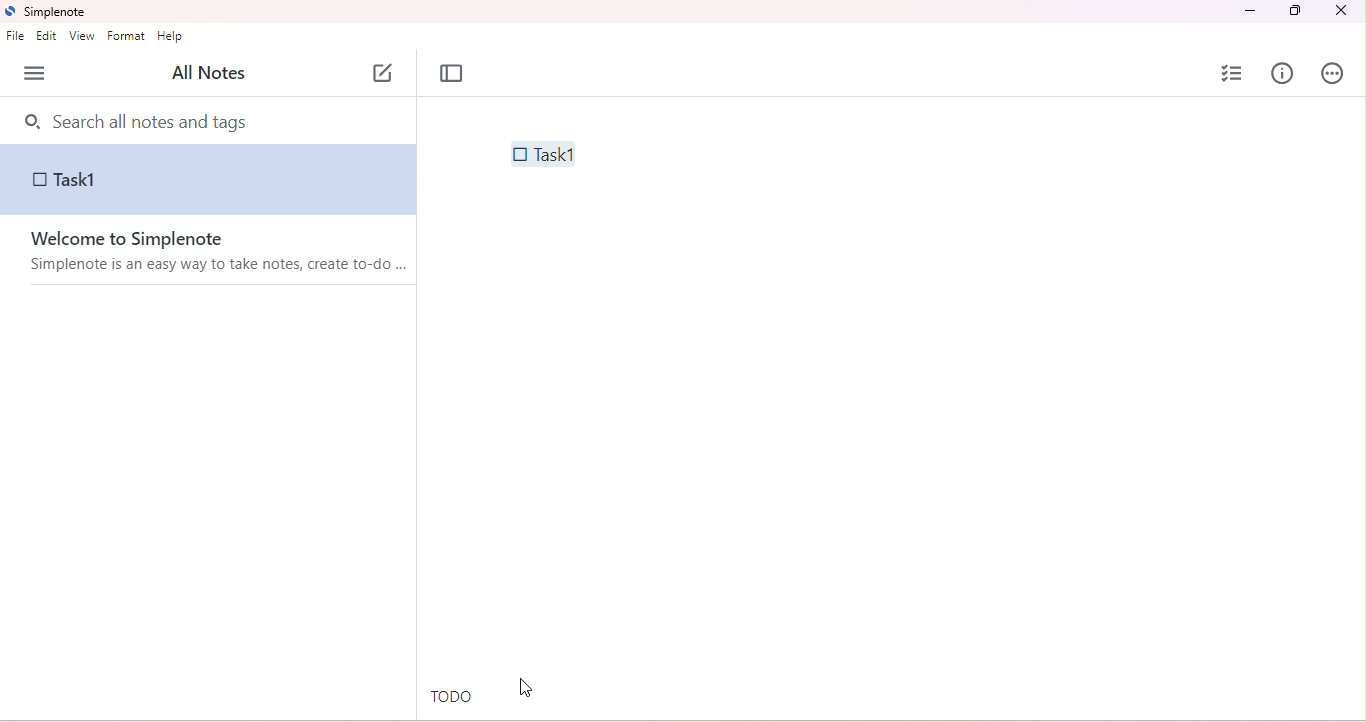 The height and width of the screenshot is (722, 1366). I want to click on new note, so click(384, 70).